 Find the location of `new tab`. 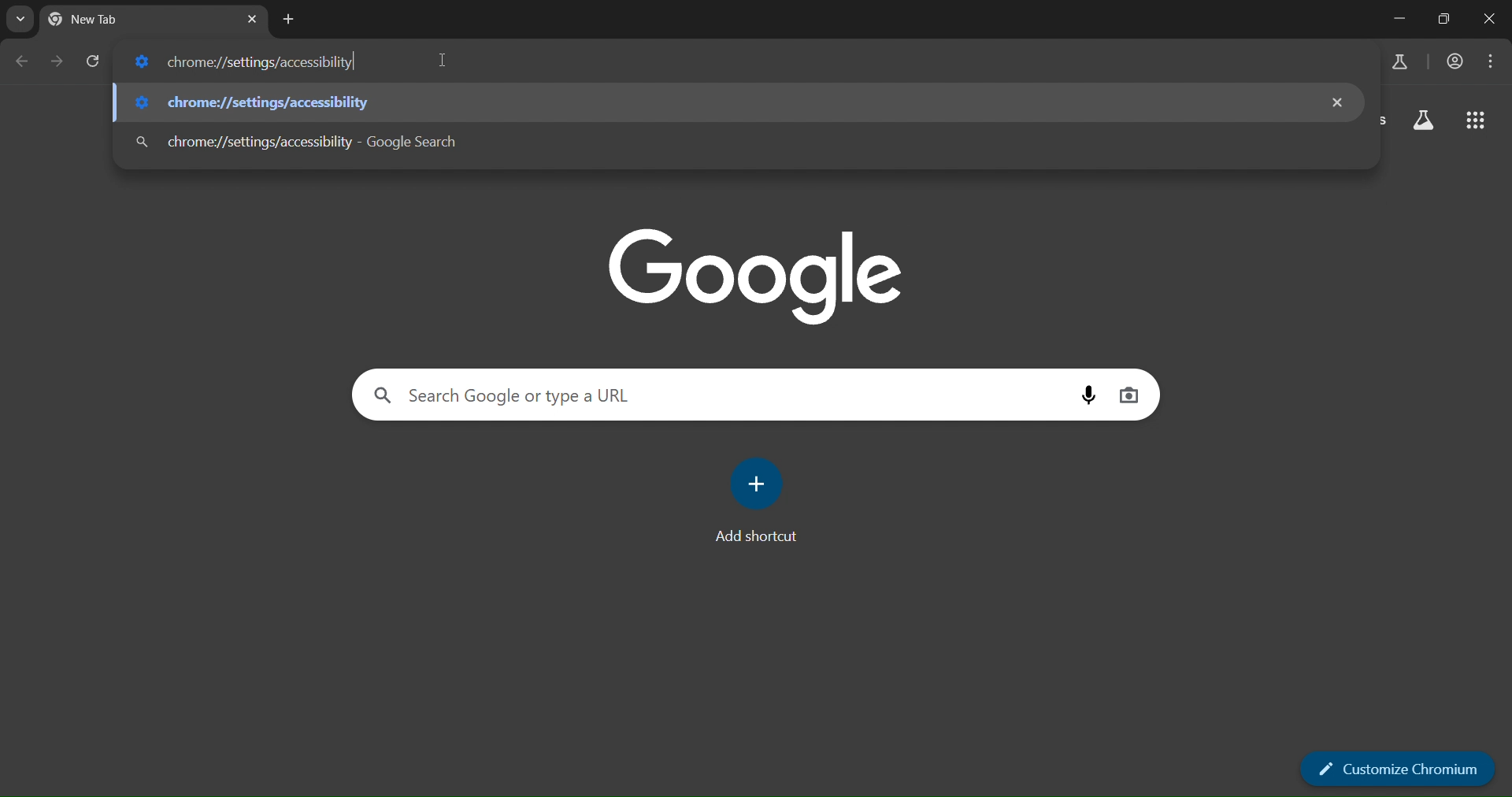

new tab is located at coordinates (289, 21).